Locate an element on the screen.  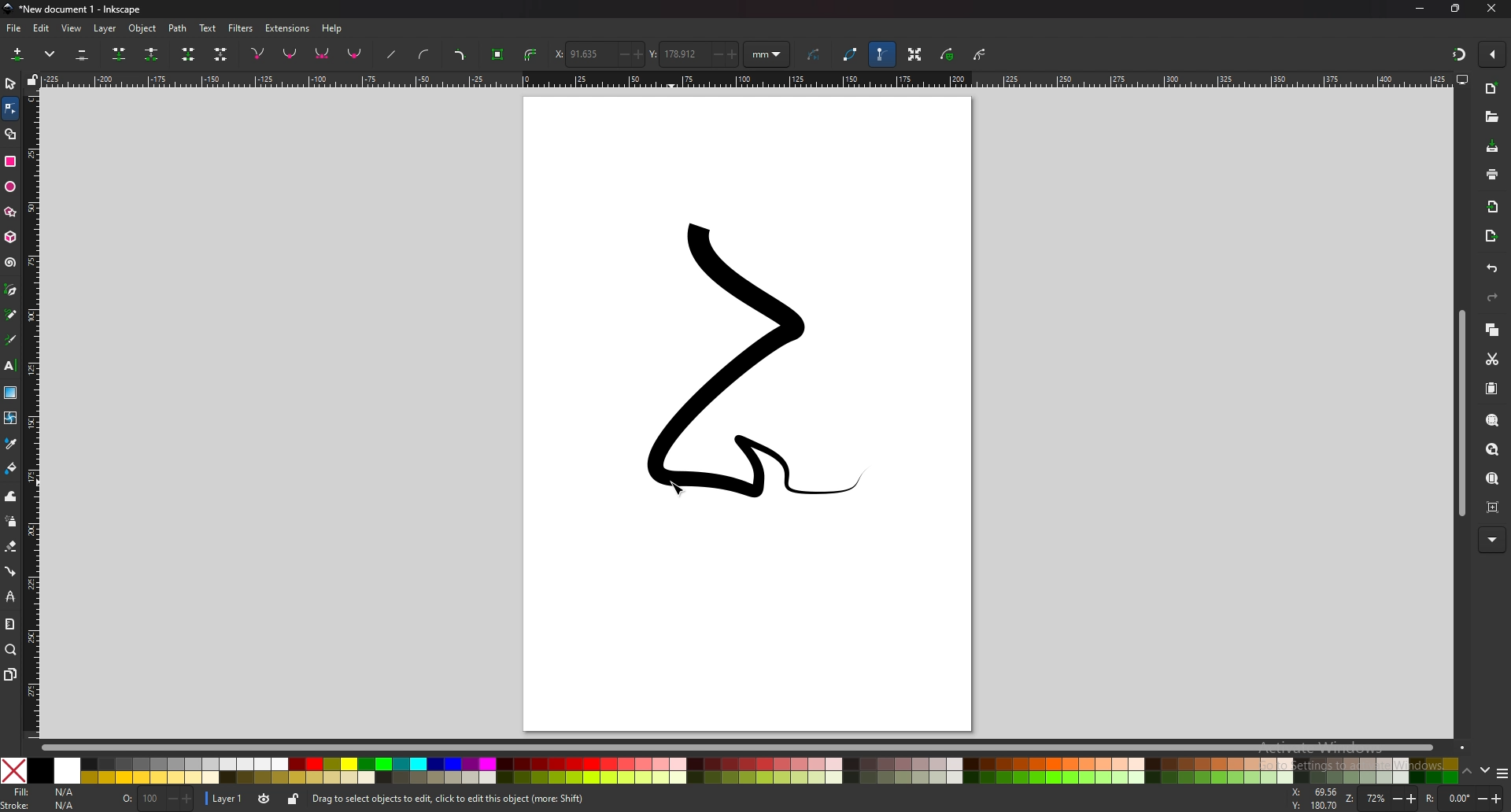
clipping path is located at coordinates (980, 54).